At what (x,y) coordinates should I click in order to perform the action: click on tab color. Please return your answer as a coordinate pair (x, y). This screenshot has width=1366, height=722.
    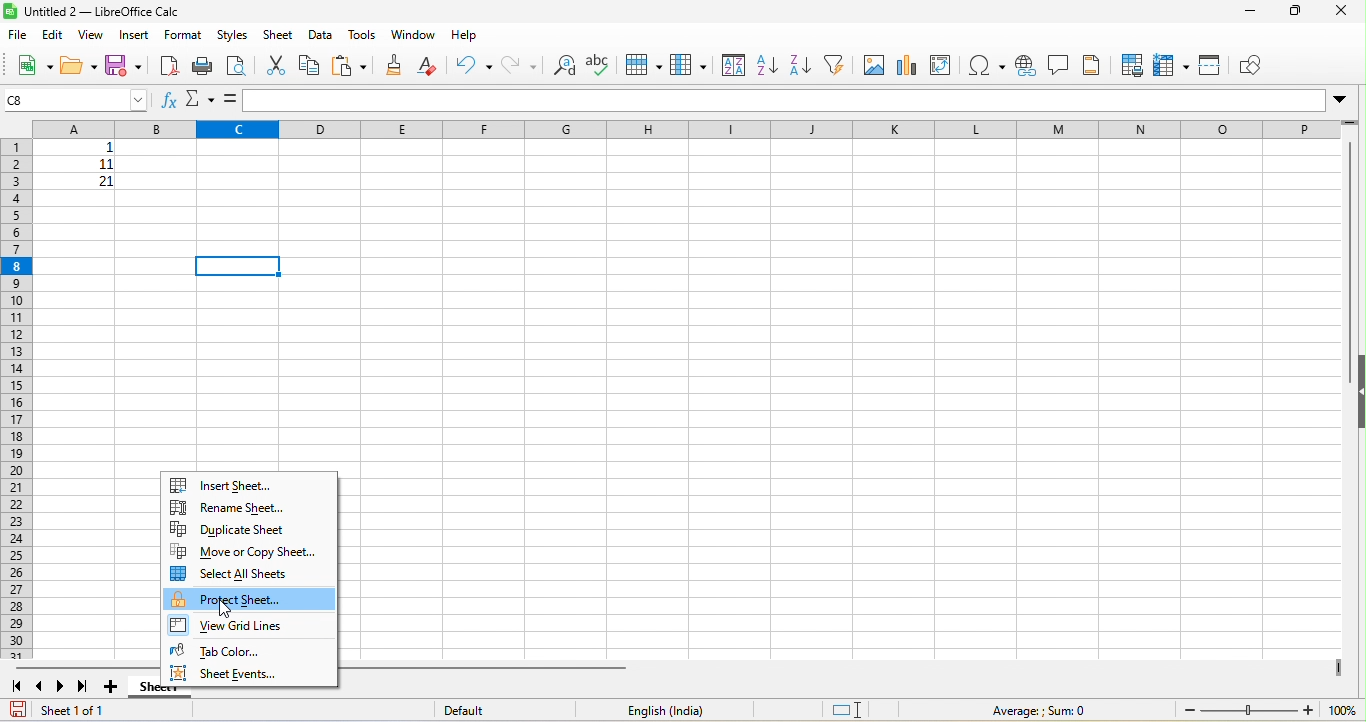
    Looking at the image, I should click on (230, 650).